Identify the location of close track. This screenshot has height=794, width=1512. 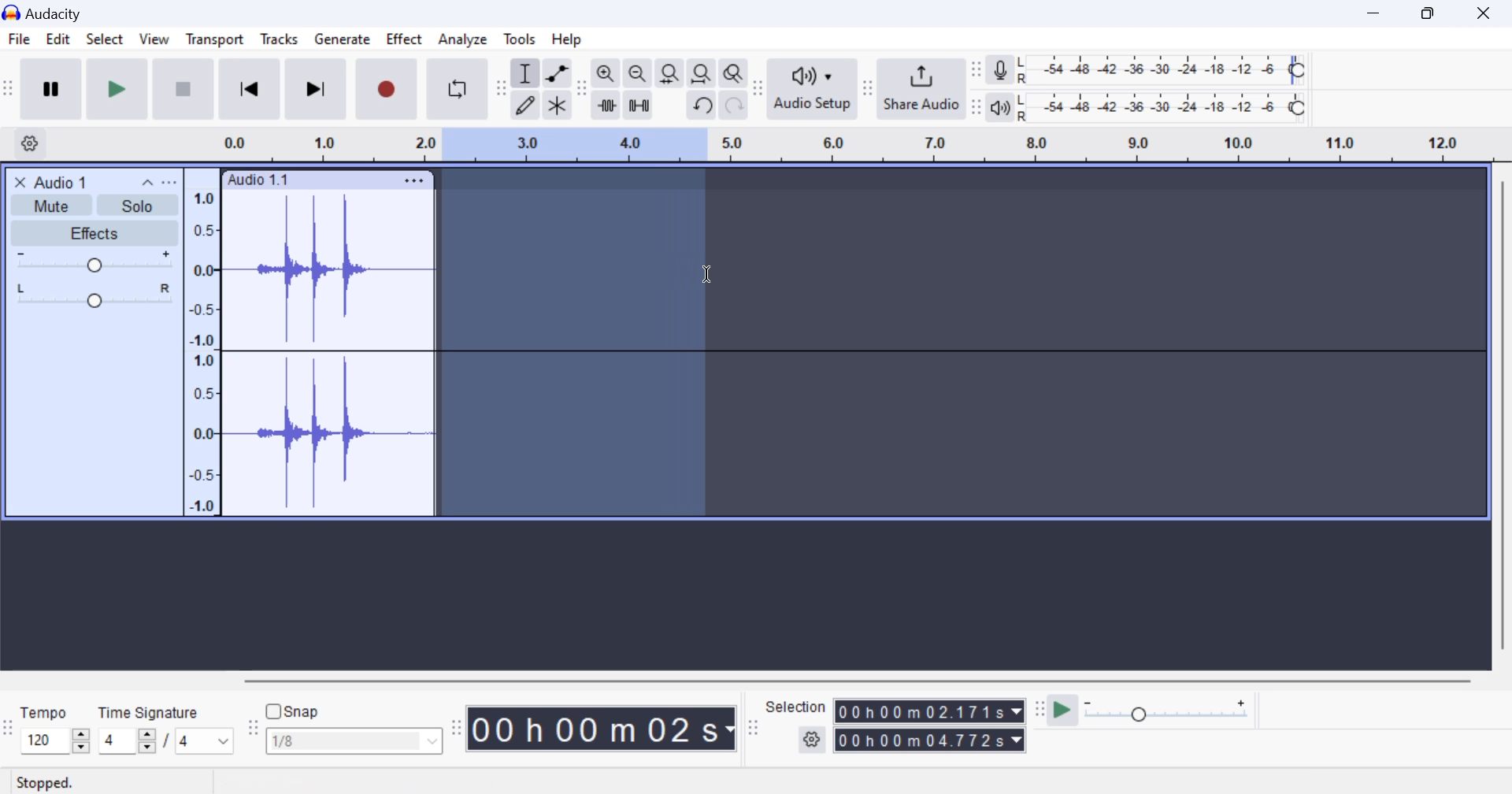
(20, 181).